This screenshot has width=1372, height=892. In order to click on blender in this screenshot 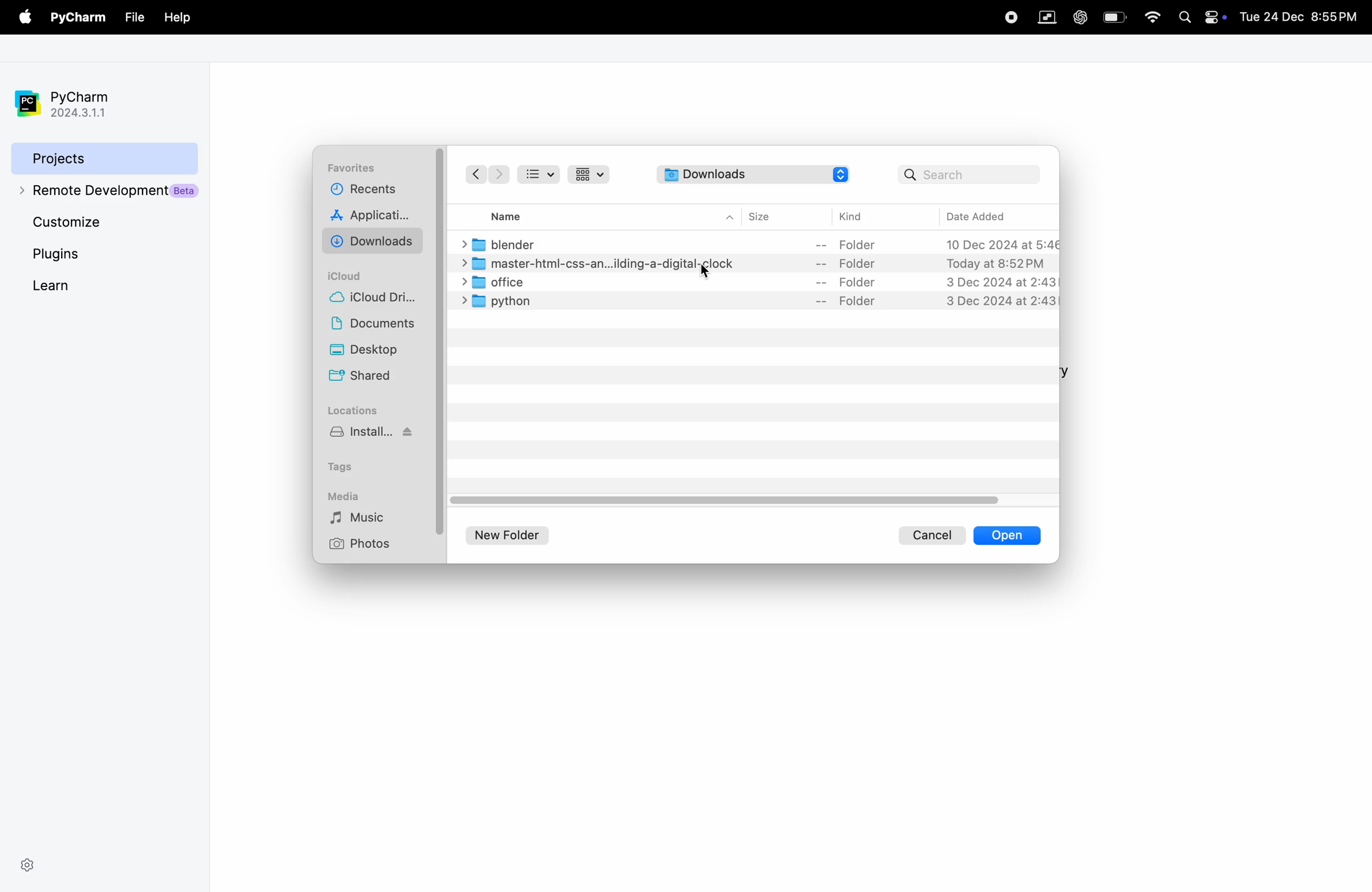, I will do `click(760, 244)`.